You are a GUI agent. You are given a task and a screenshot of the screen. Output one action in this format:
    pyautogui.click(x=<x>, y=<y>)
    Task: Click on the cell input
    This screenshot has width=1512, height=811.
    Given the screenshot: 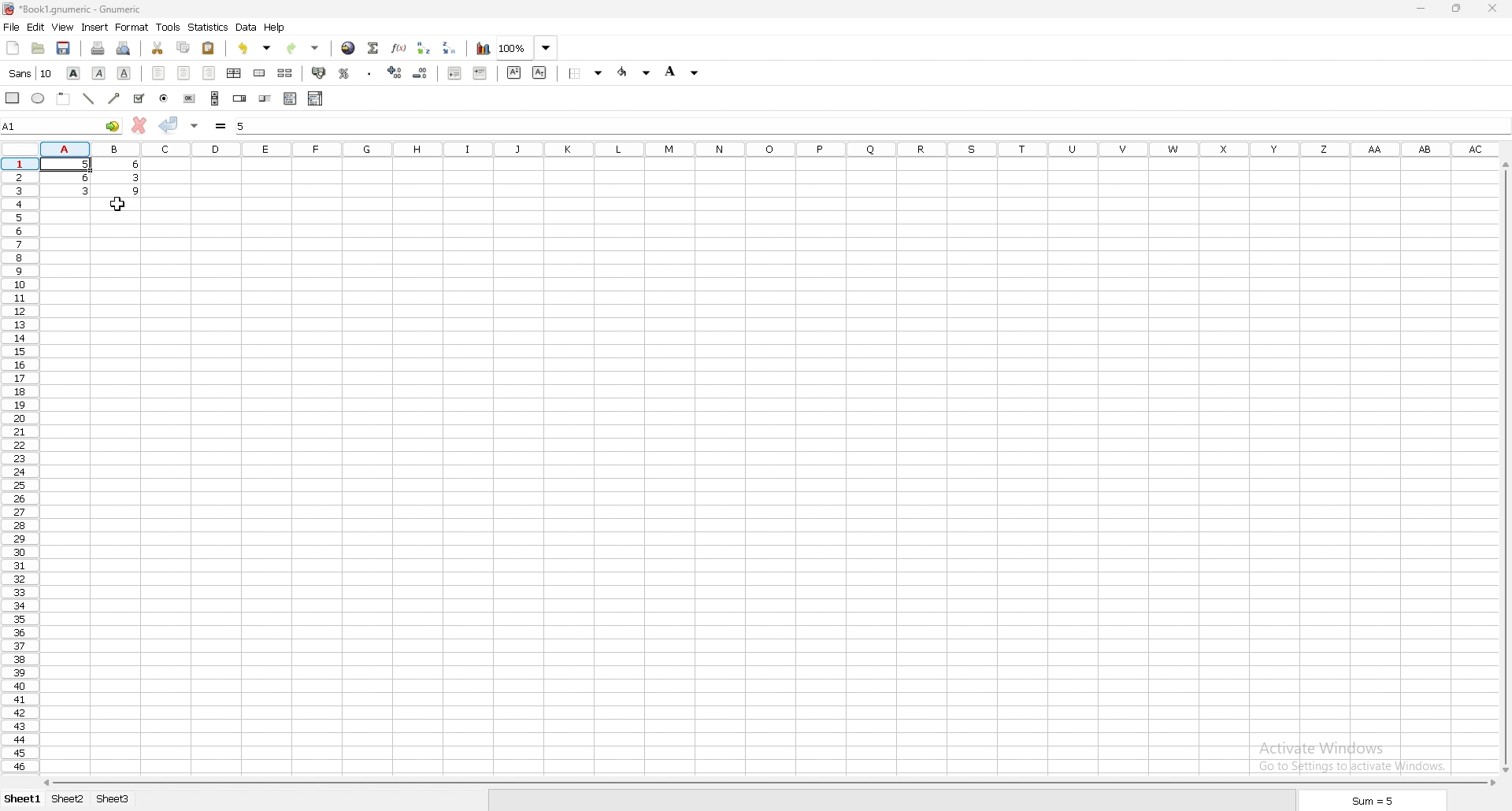 What is the action you would take?
    pyautogui.click(x=867, y=124)
    